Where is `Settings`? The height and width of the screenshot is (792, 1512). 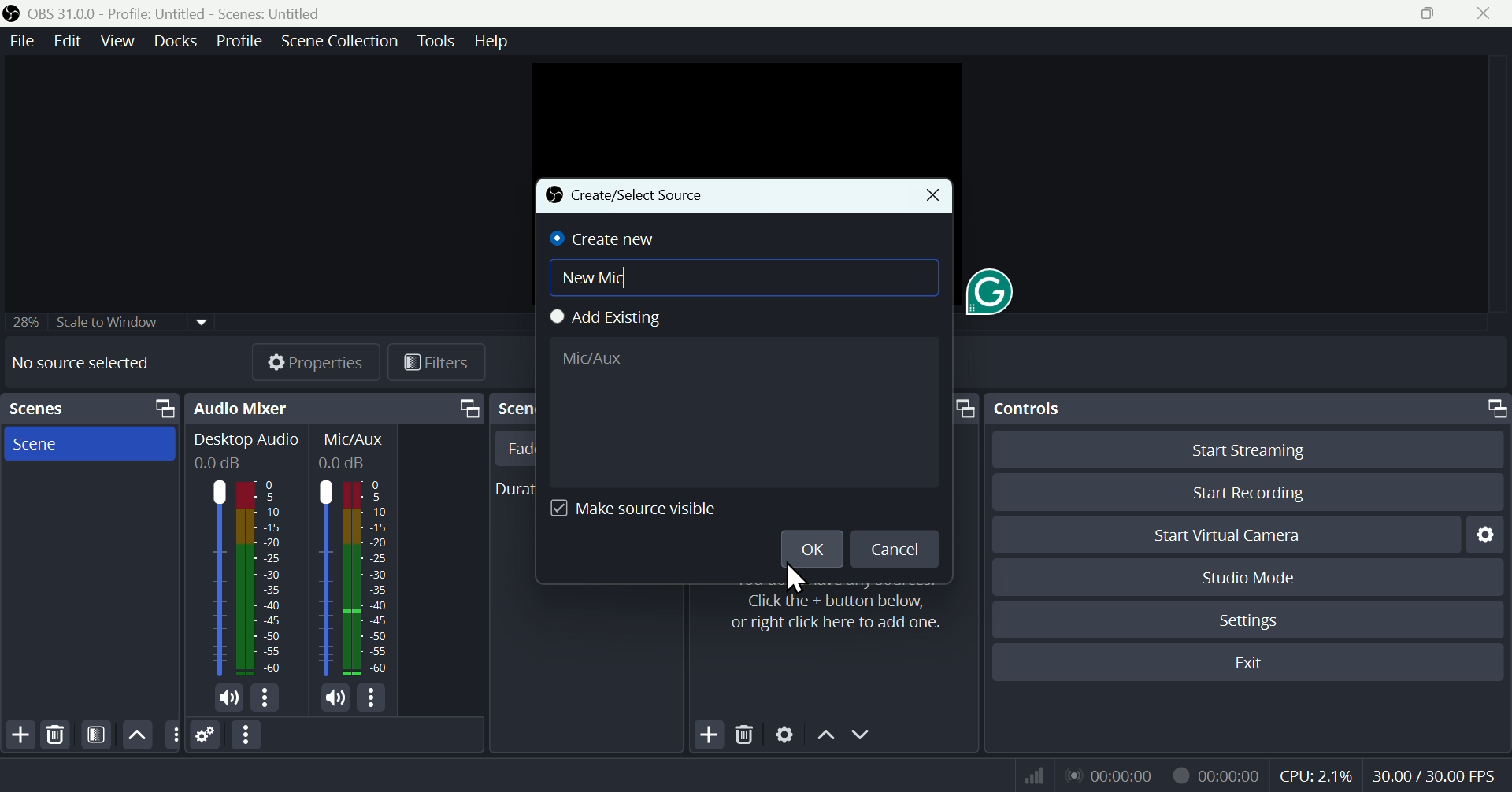 Settings is located at coordinates (206, 736).